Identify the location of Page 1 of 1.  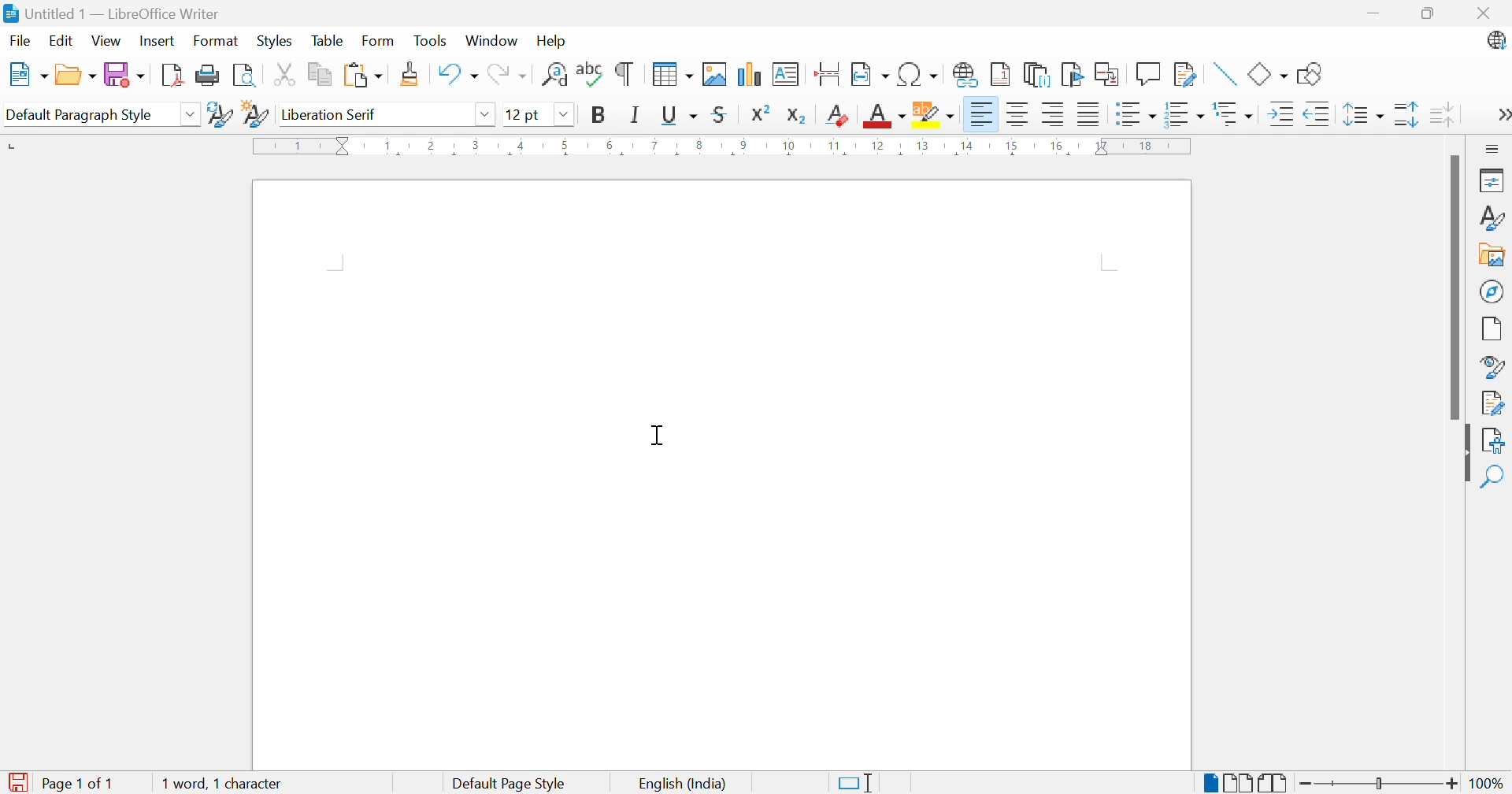
(60, 783).